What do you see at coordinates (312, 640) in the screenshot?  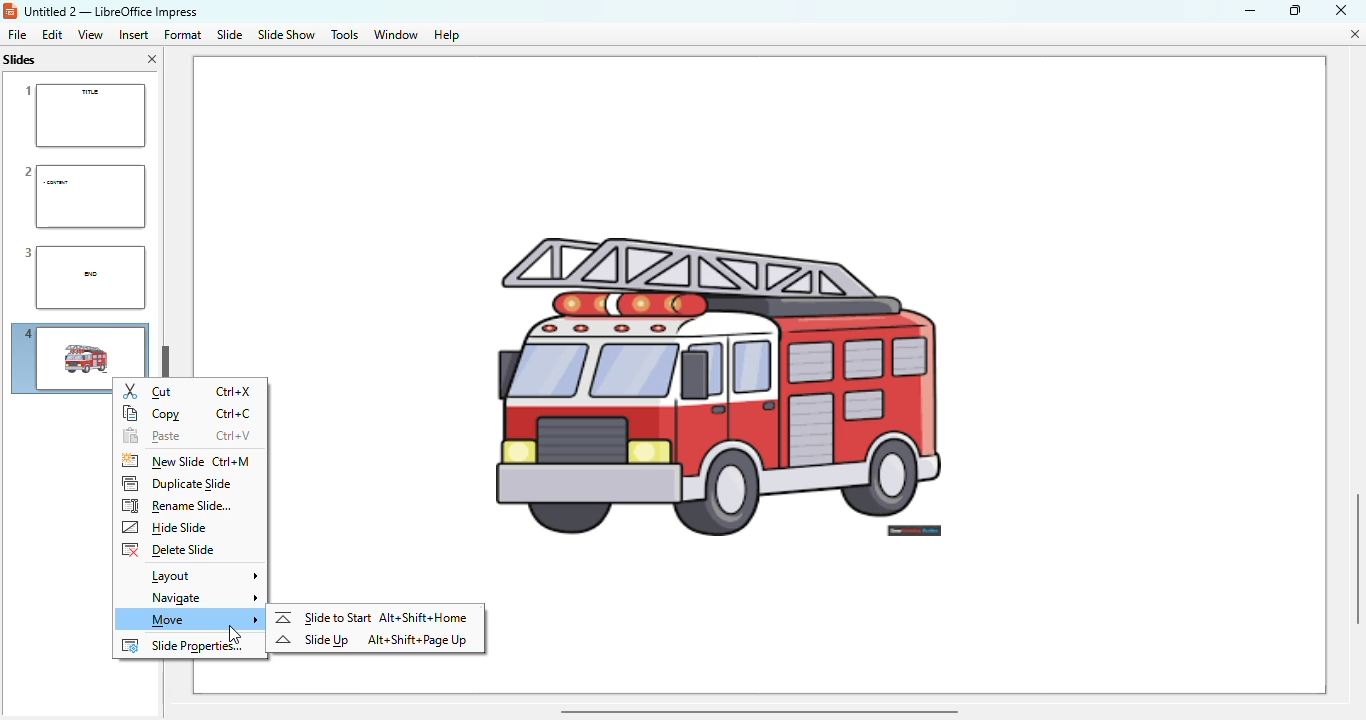 I see `slide up` at bounding box center [312, 640].